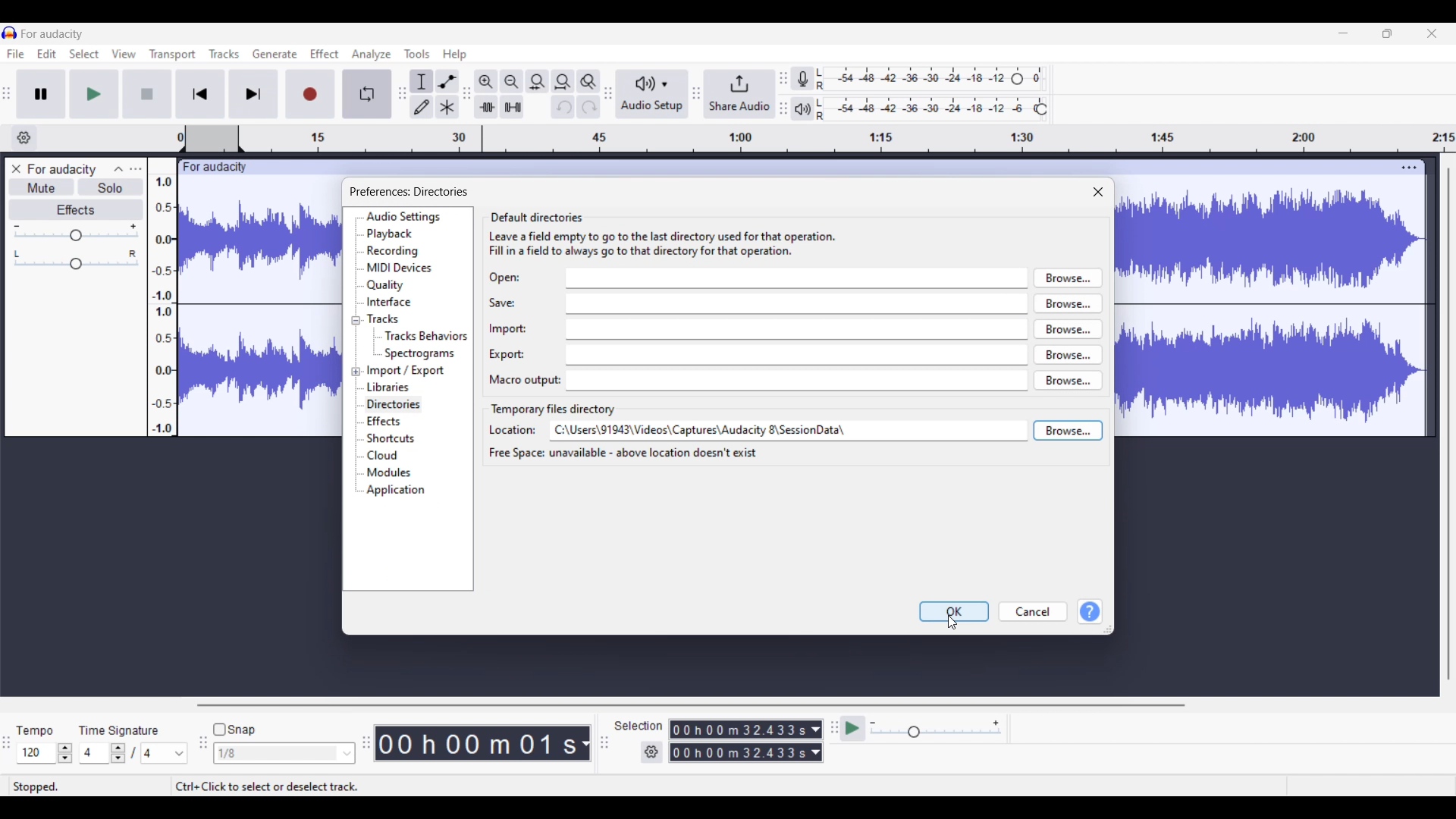 This screenshot has height=819, width=1456. Describe the element at coordinates (952, 623) in the screenshot. I see `Cursor` at that location.